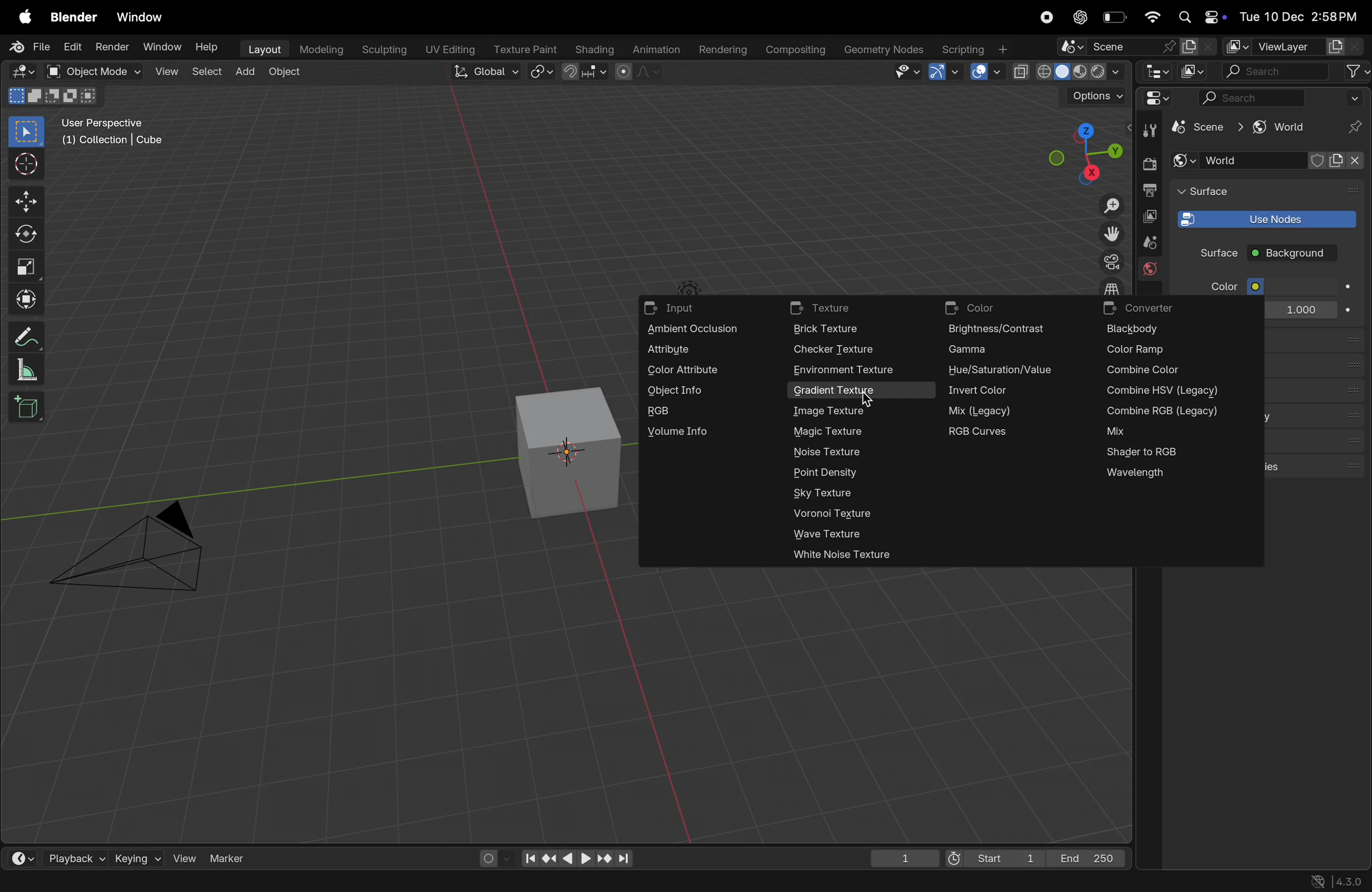 The width and height of the screenshot is (1372, 892). Describe the element at coordinates (984, 73) in the screenshot. I see `Show overlays` at that location.